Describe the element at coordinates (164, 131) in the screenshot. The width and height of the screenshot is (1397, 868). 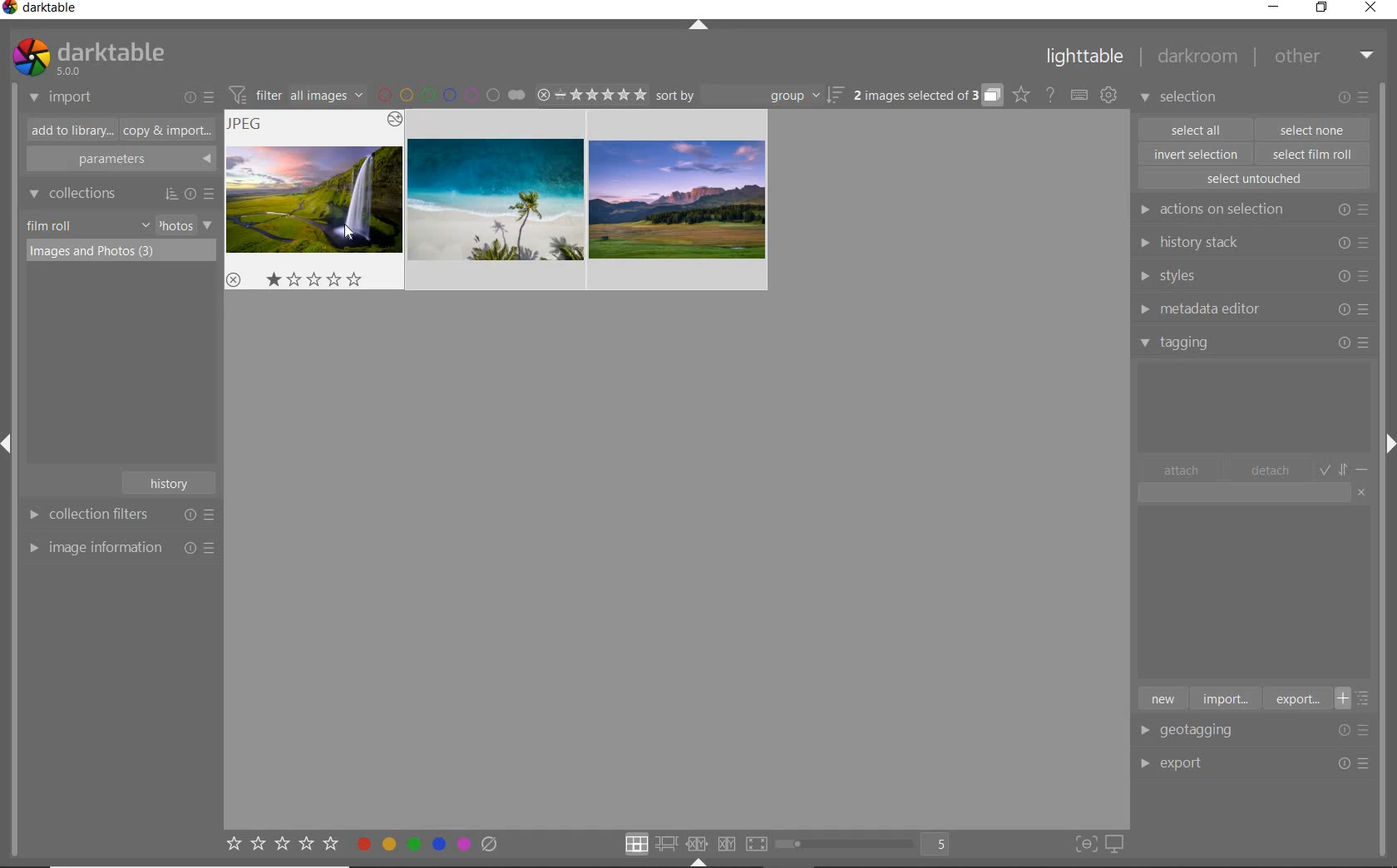
I see `copy & import` at that location.